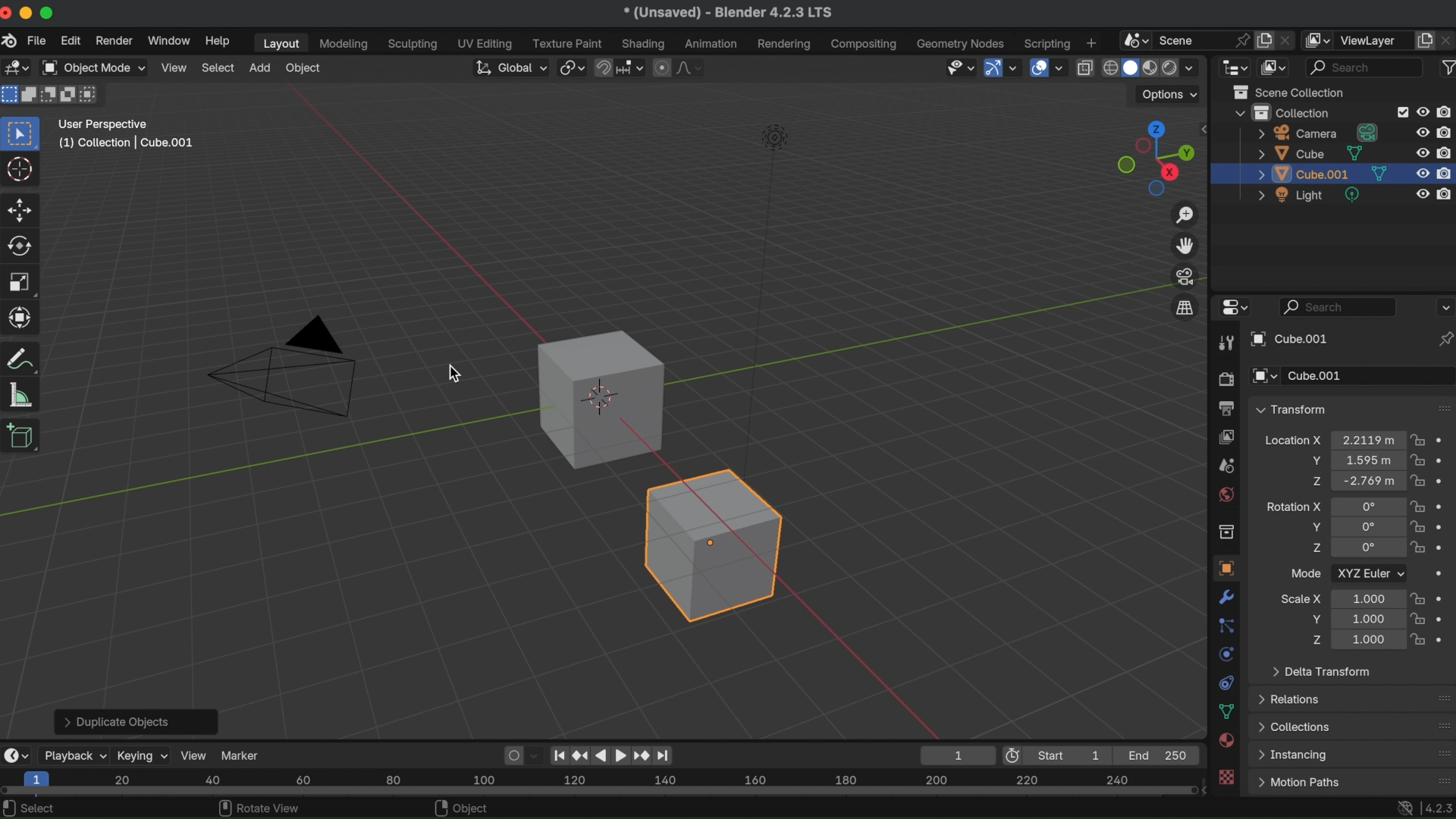 This screenshot has width=1456, height=819. I want to click on world, so click(1225, 494).